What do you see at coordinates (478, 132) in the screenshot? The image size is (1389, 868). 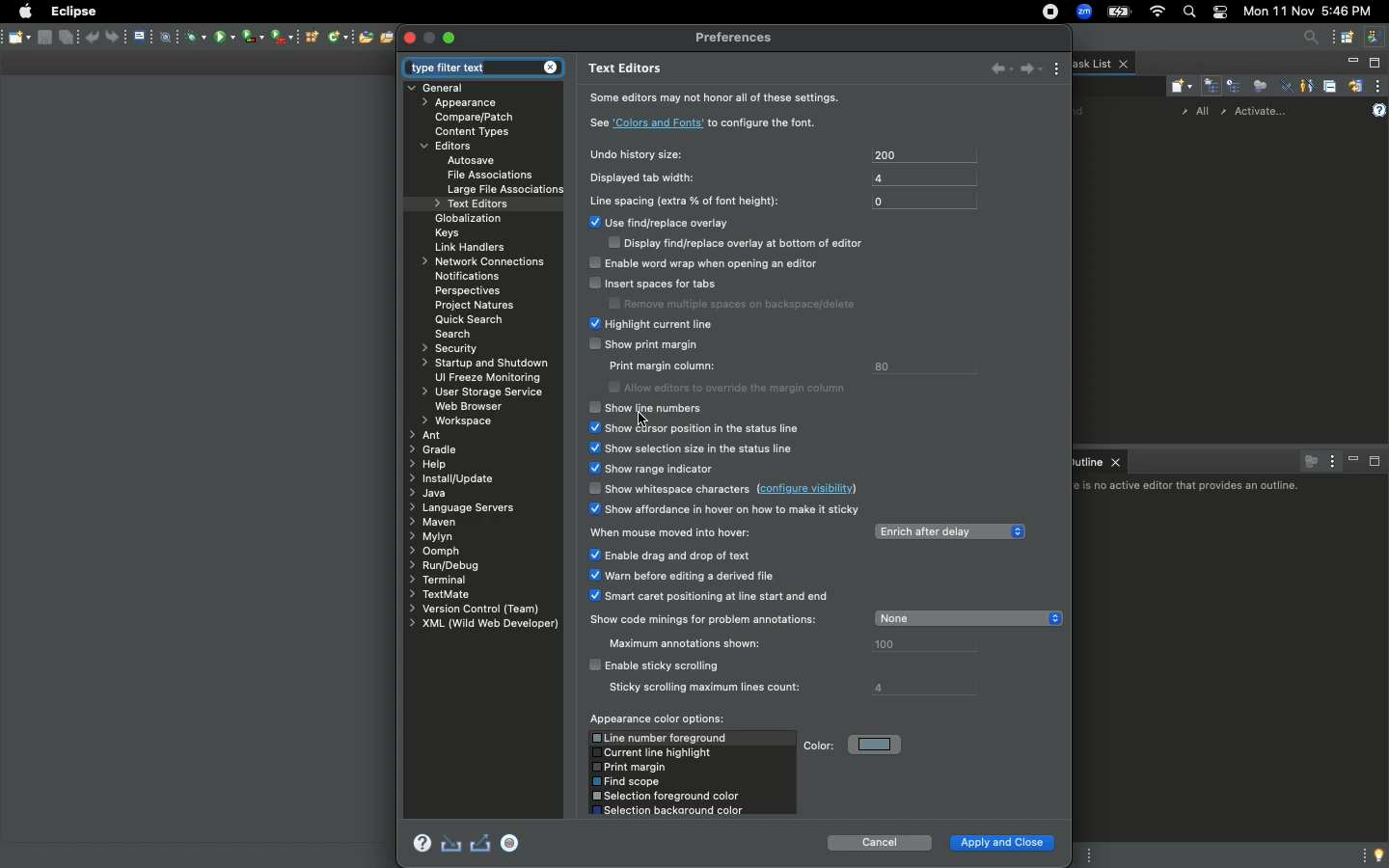 I see `Content types` at bounding box center [478, 132].